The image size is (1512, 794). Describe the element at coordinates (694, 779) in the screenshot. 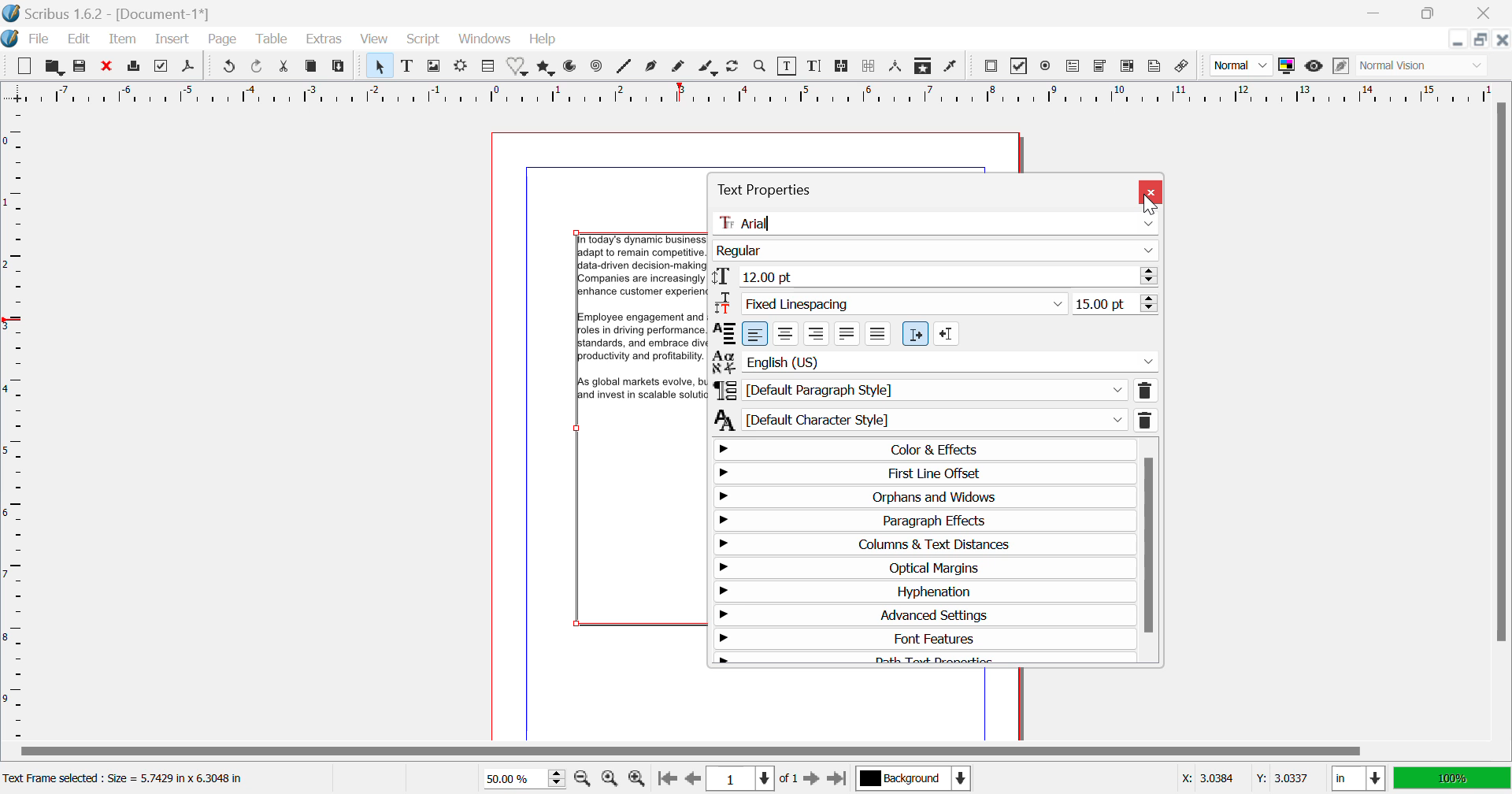

I see `Previous Page` at that location.